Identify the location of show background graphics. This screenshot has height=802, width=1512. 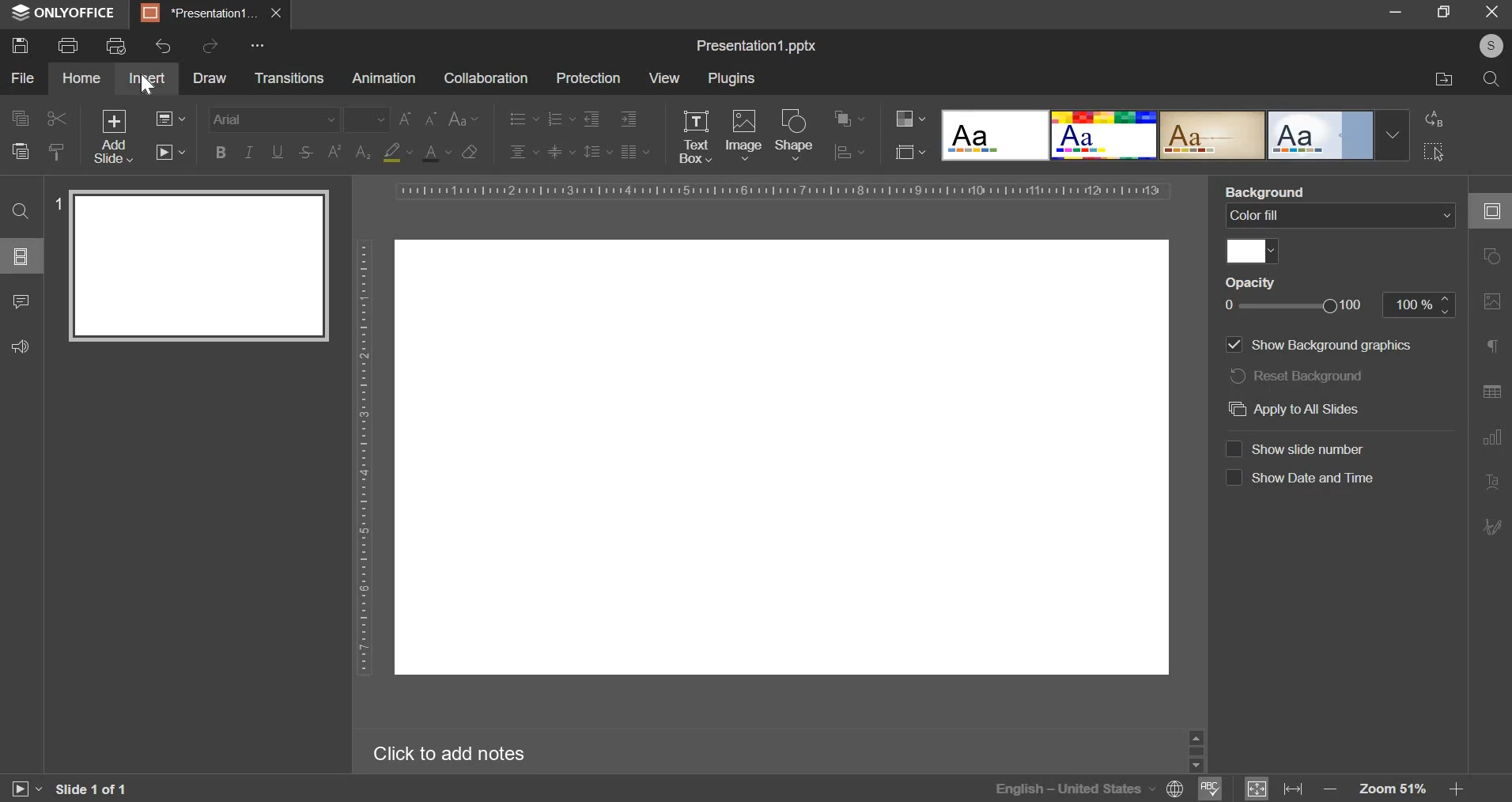
(1321, 346).